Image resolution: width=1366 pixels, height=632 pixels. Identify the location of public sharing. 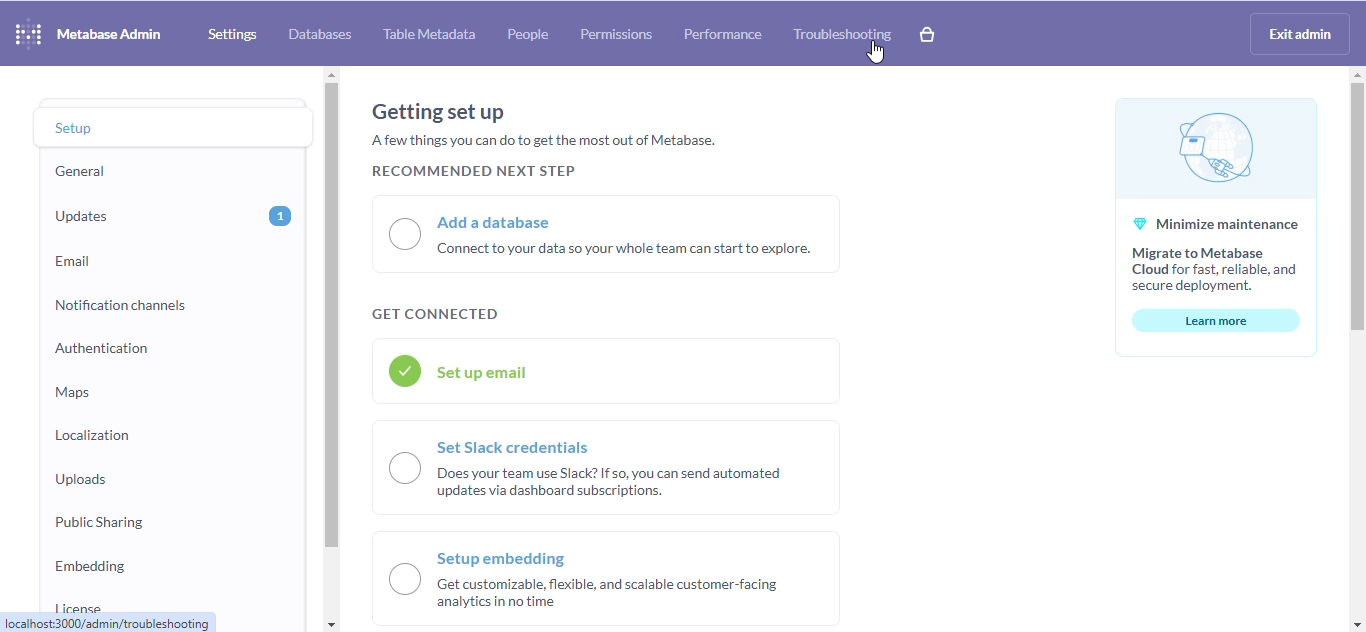
(99, 520).